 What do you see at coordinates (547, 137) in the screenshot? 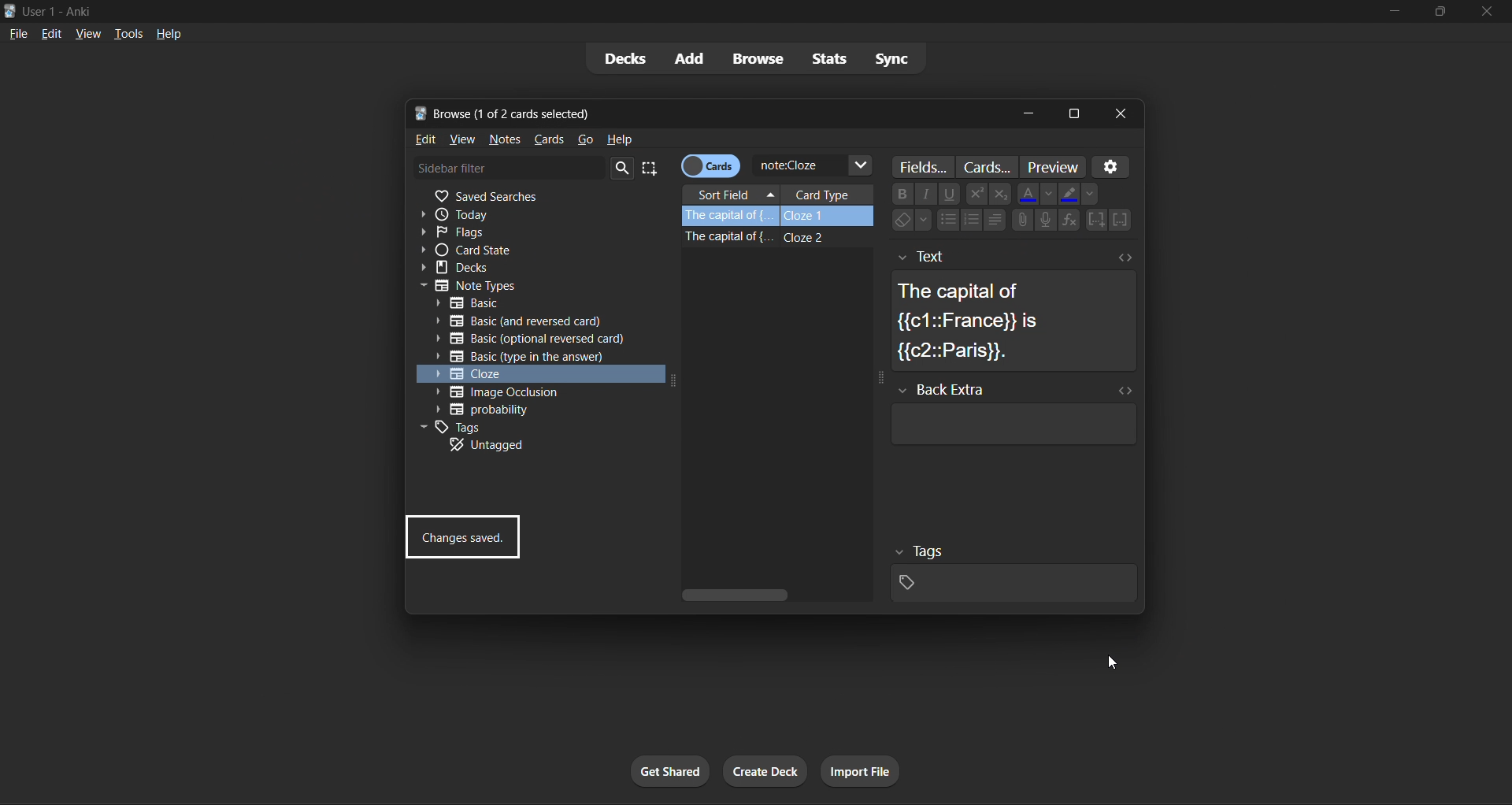
I see `cards` at bounding box center [547, 137].